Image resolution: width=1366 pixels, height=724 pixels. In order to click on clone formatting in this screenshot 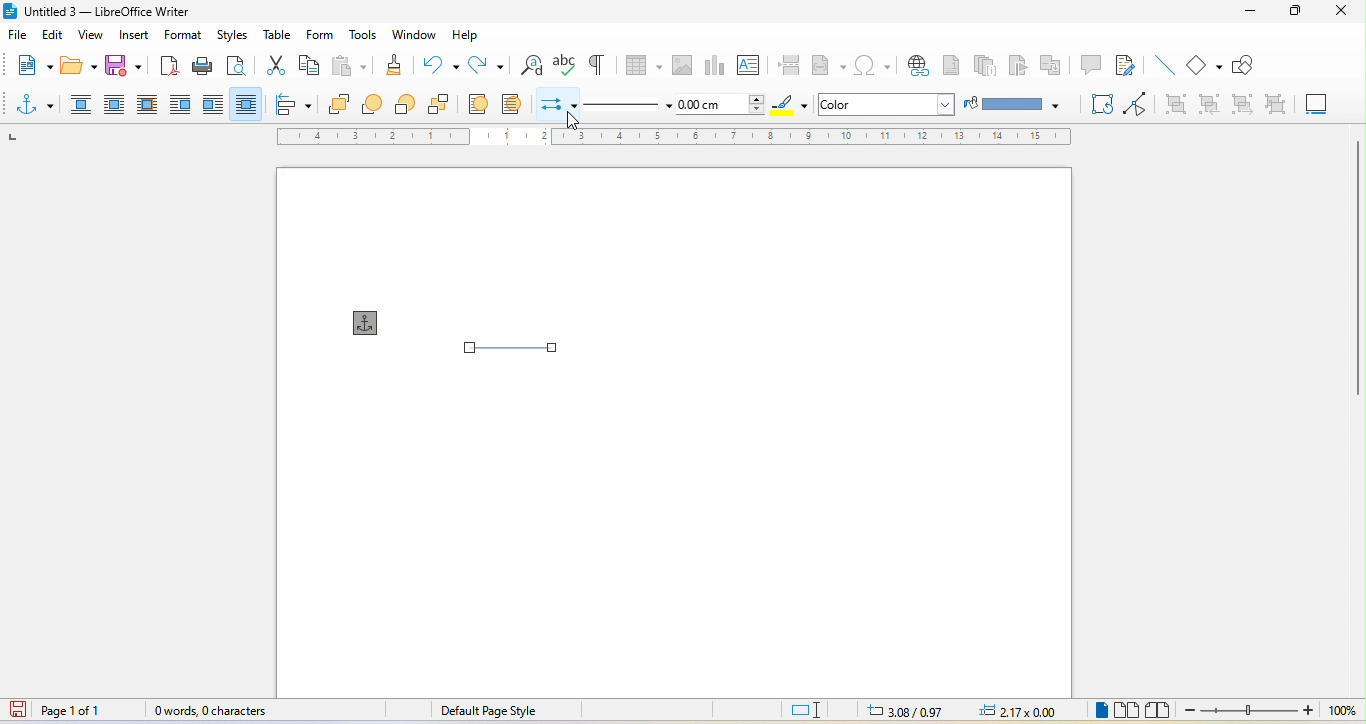, I will do `click(391, 63)`.